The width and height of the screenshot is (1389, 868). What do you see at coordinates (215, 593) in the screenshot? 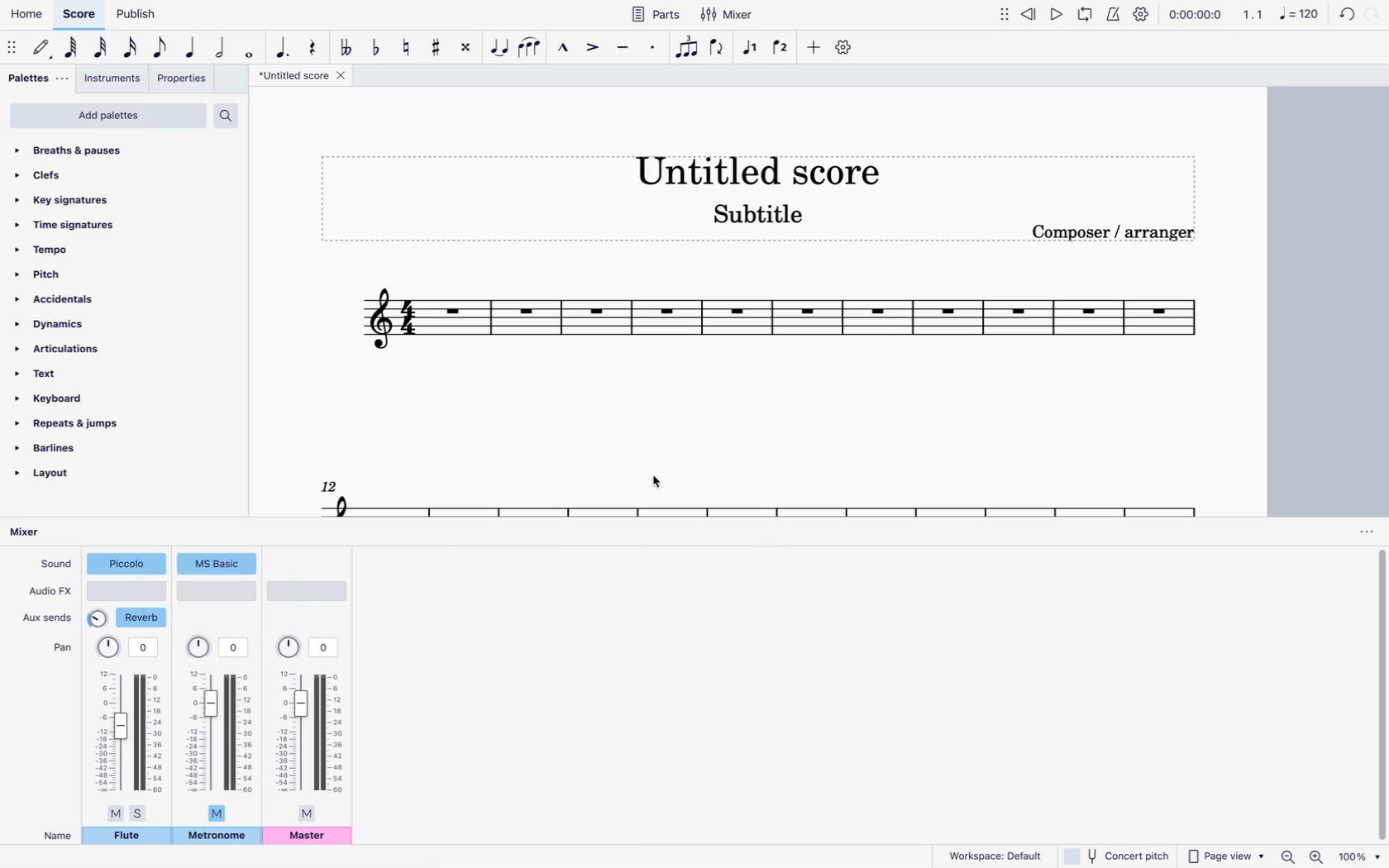
I see `audio type` at bounding box center [215, 593].